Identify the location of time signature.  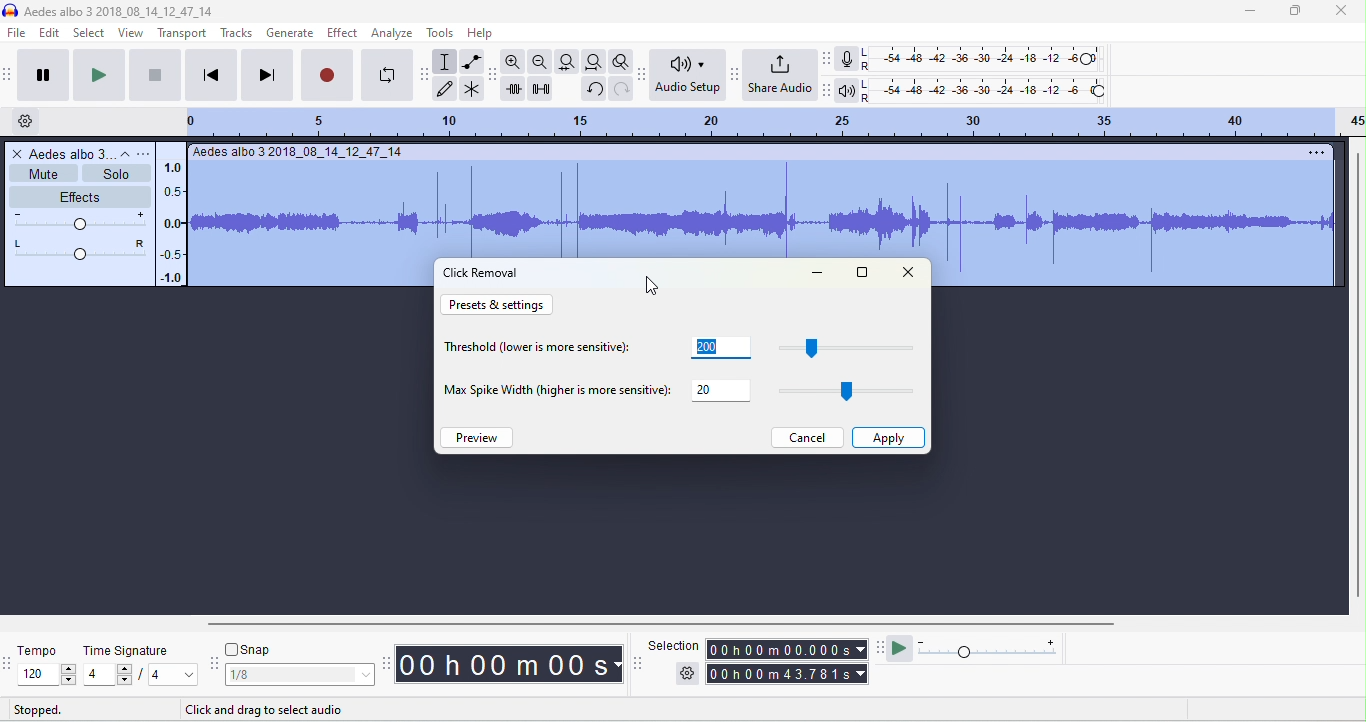
(127, 650).